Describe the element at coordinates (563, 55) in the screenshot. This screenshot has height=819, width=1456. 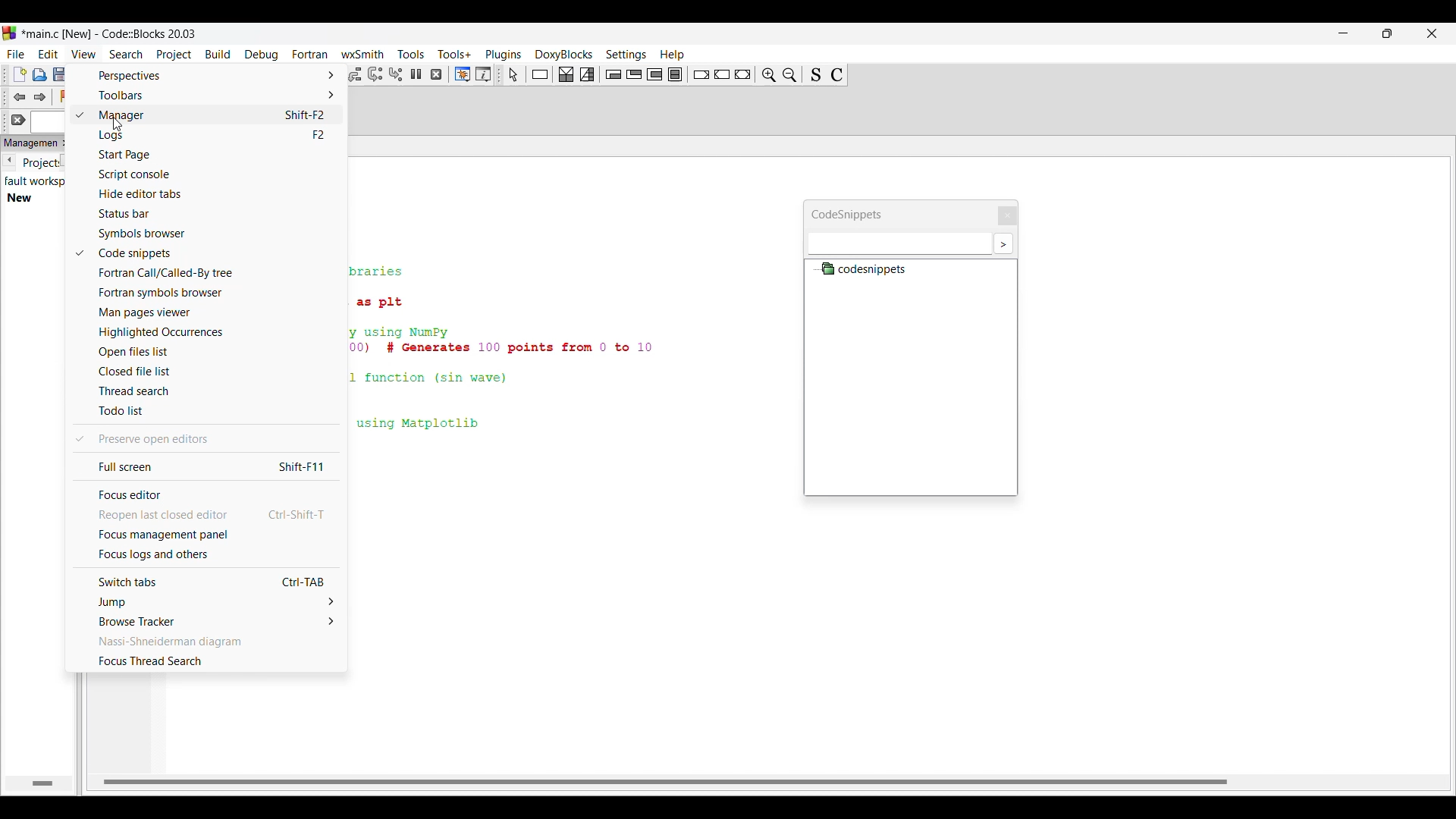
I see `DoxyBlocks menu` at that location.